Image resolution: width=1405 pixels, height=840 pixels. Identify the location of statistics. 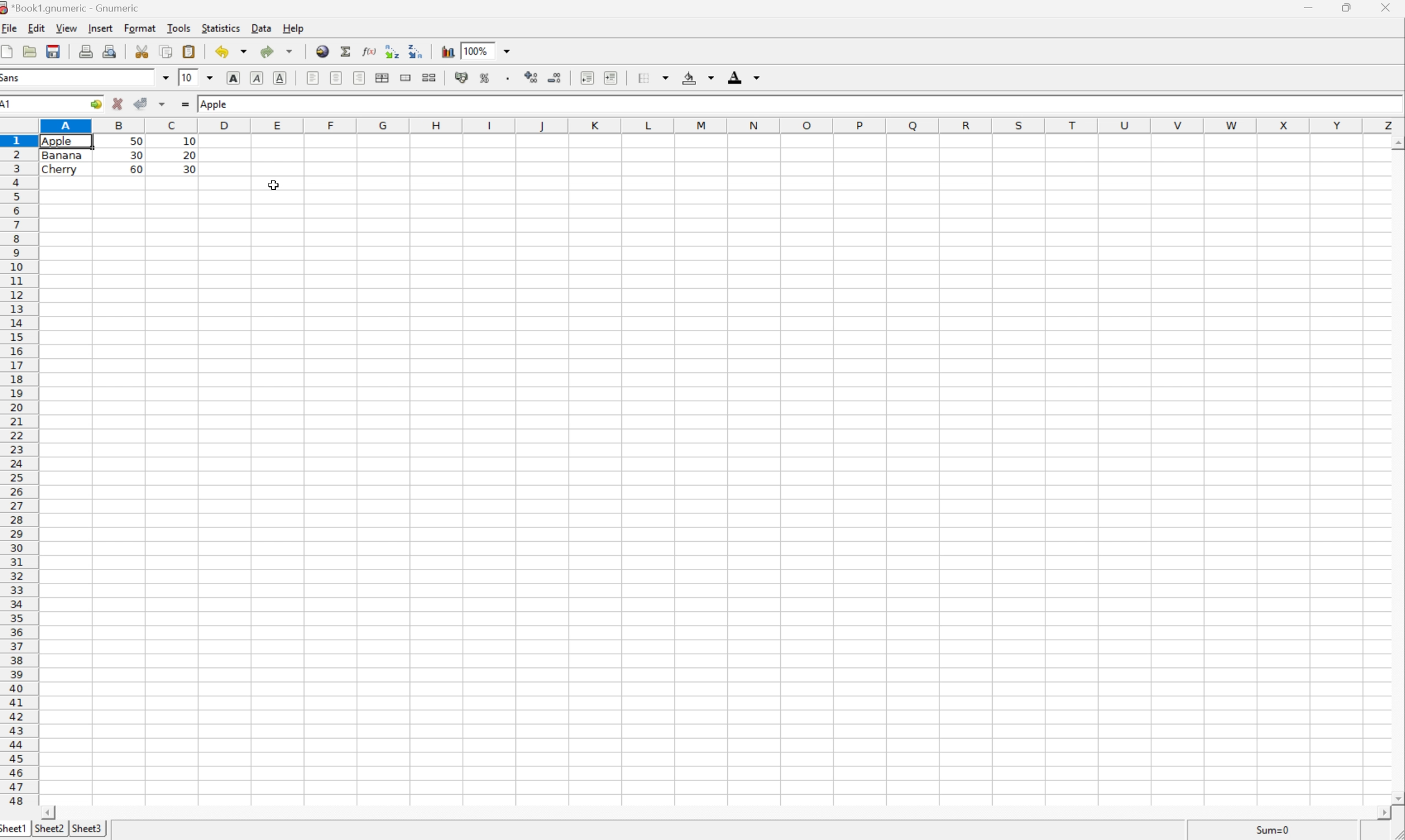
(224, 28).